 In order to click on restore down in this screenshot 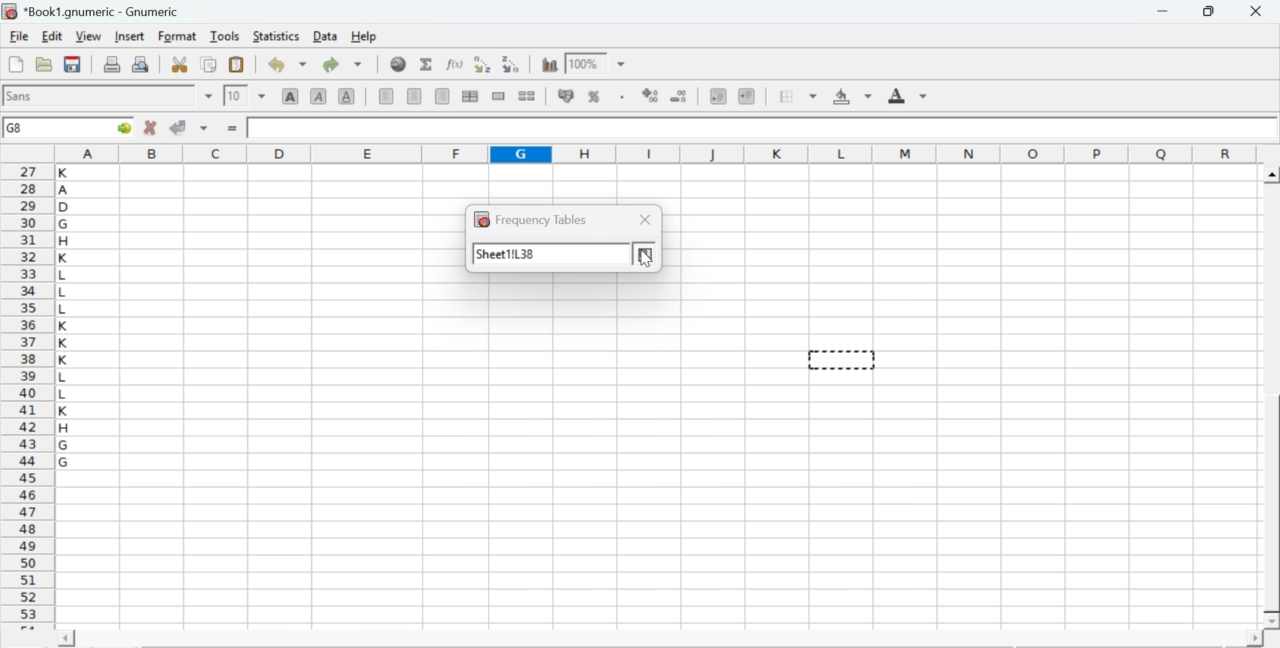, I will do `click(1210, 12)`.